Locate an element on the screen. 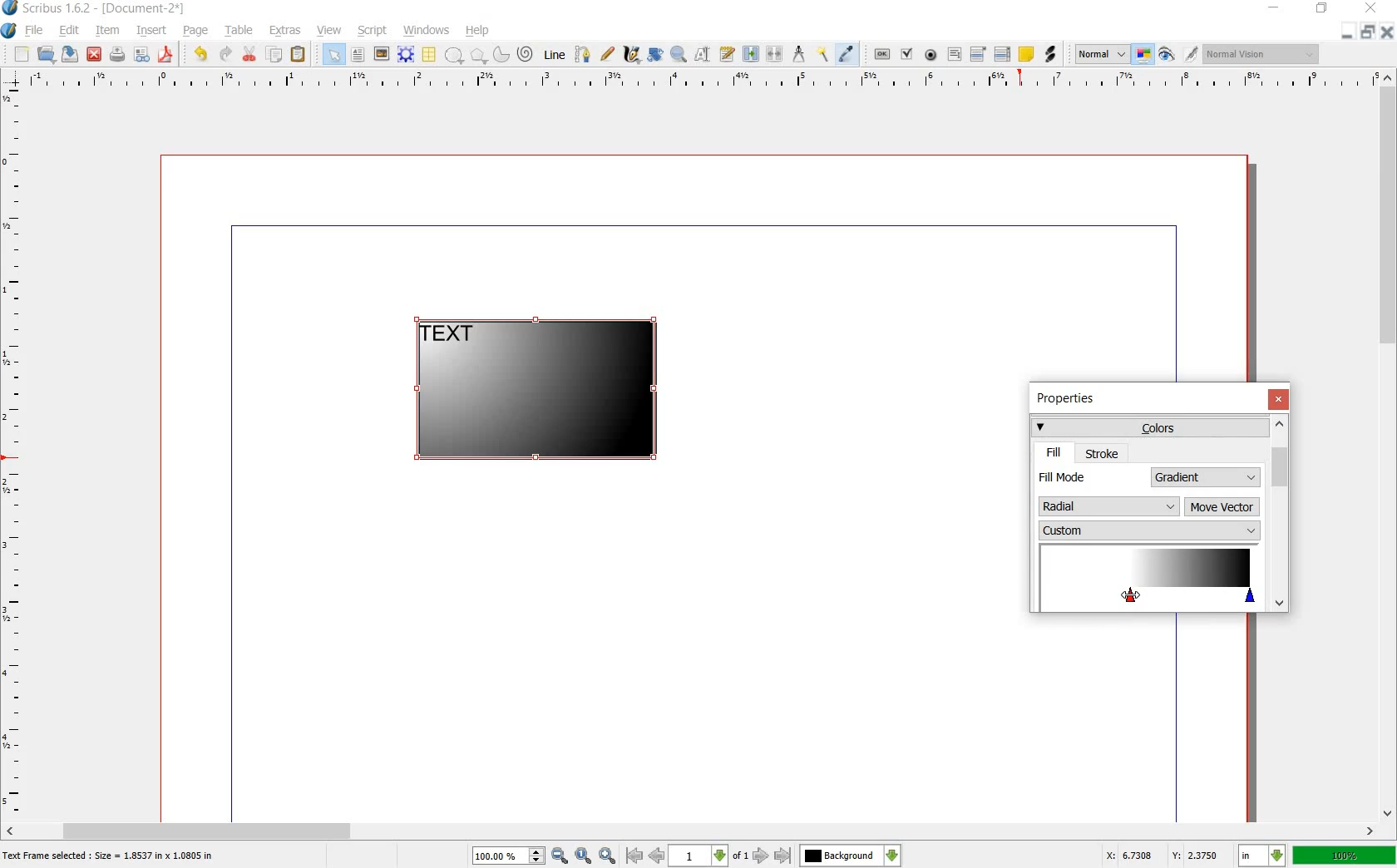 Image resolution: width=1397 pixels, height=868 pixels. text annotation is located at coordinates (1026, 54).